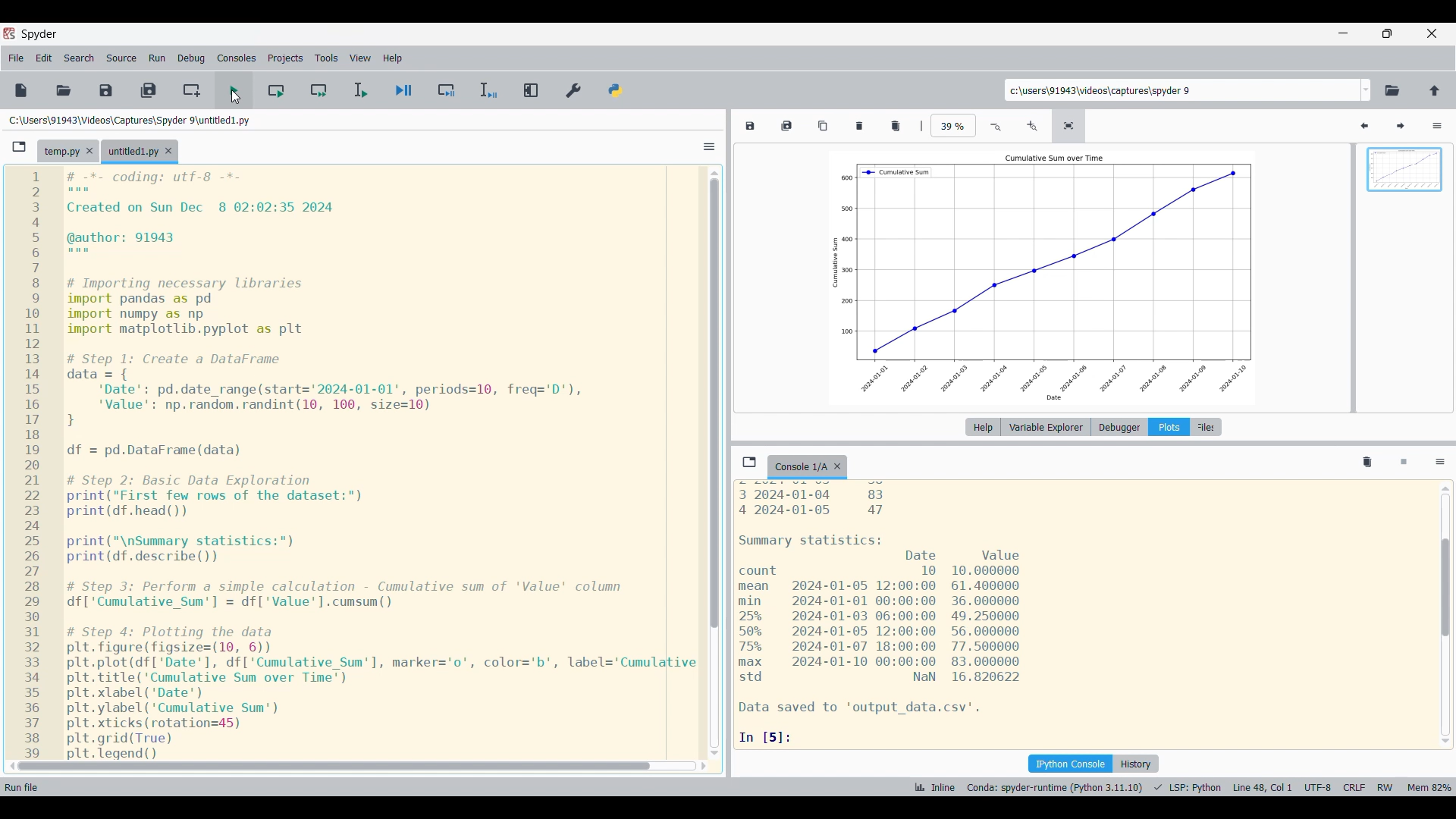 The height and width of the screenshot is (819, 1456). Describe the element at coordinates (1260, 787) in the screenshot. I see `cursor position` at that location.